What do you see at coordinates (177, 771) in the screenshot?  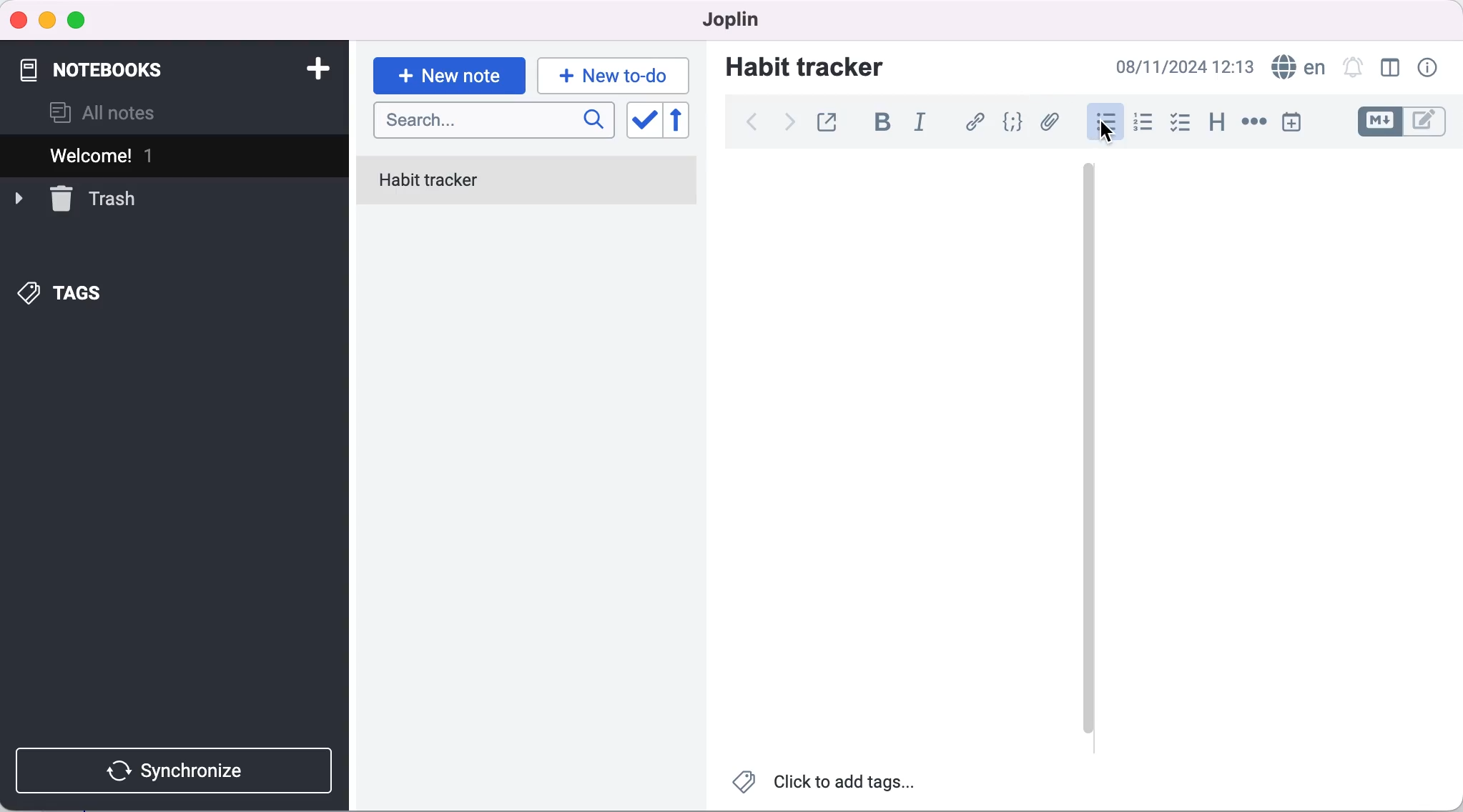 I see `synchronize` at bounding box center [177, 771].